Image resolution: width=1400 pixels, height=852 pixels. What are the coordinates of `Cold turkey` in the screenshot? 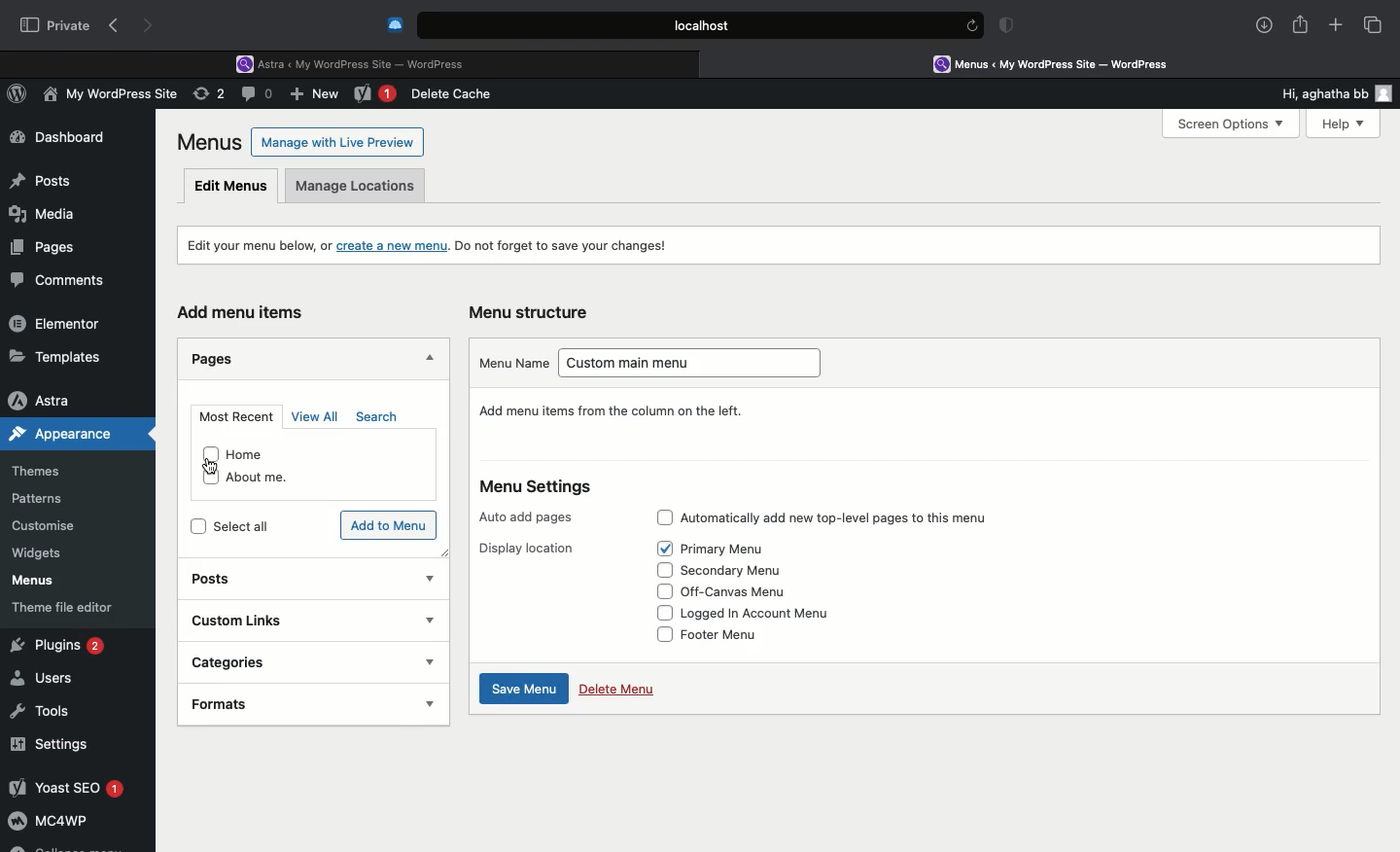 It's located at (396, 25).